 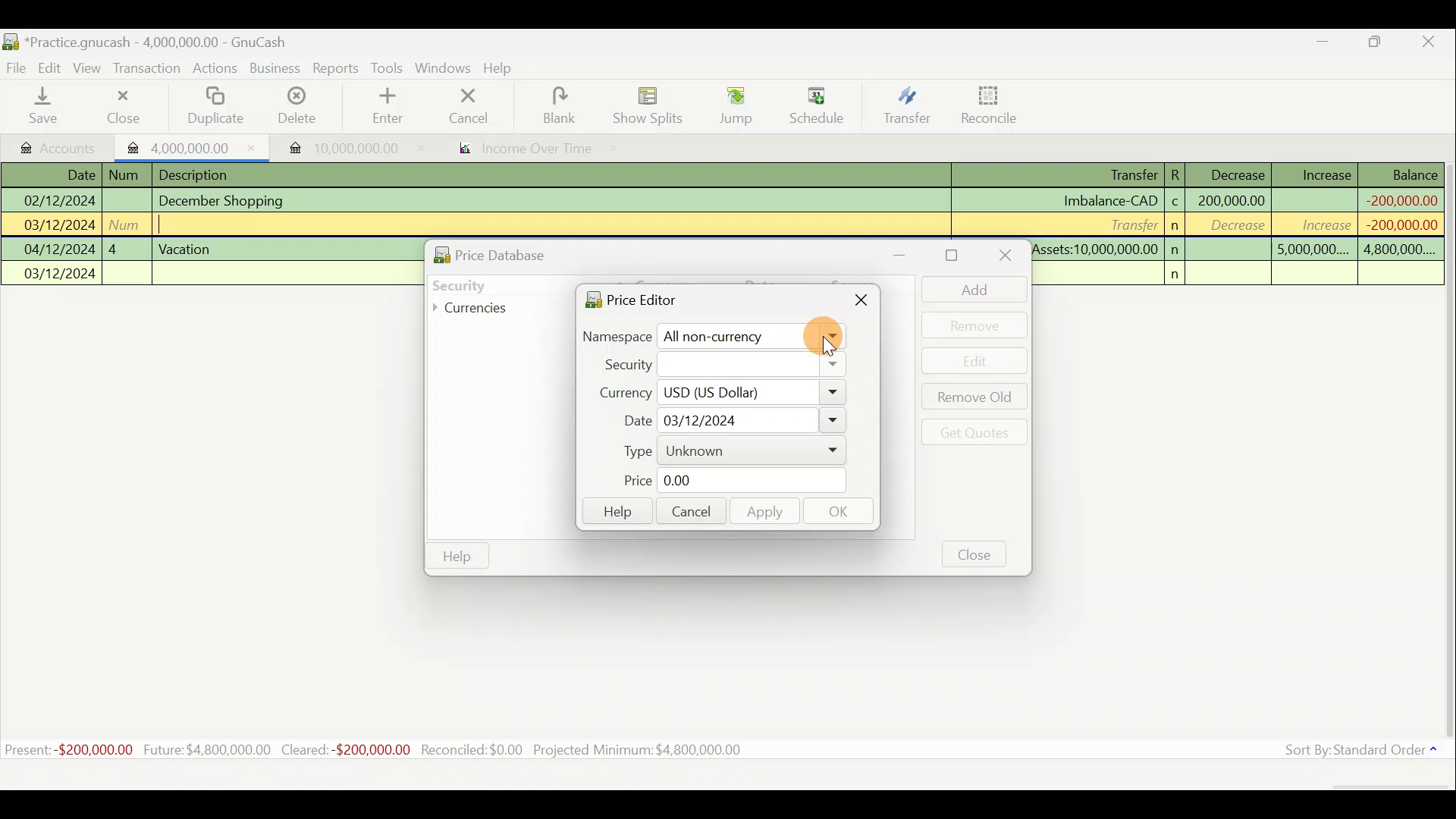 What do you see at coordinates (1095, 247) in the screenshot?
I see `Assets:10,000,000.00` at bounding box center [1095, 247].